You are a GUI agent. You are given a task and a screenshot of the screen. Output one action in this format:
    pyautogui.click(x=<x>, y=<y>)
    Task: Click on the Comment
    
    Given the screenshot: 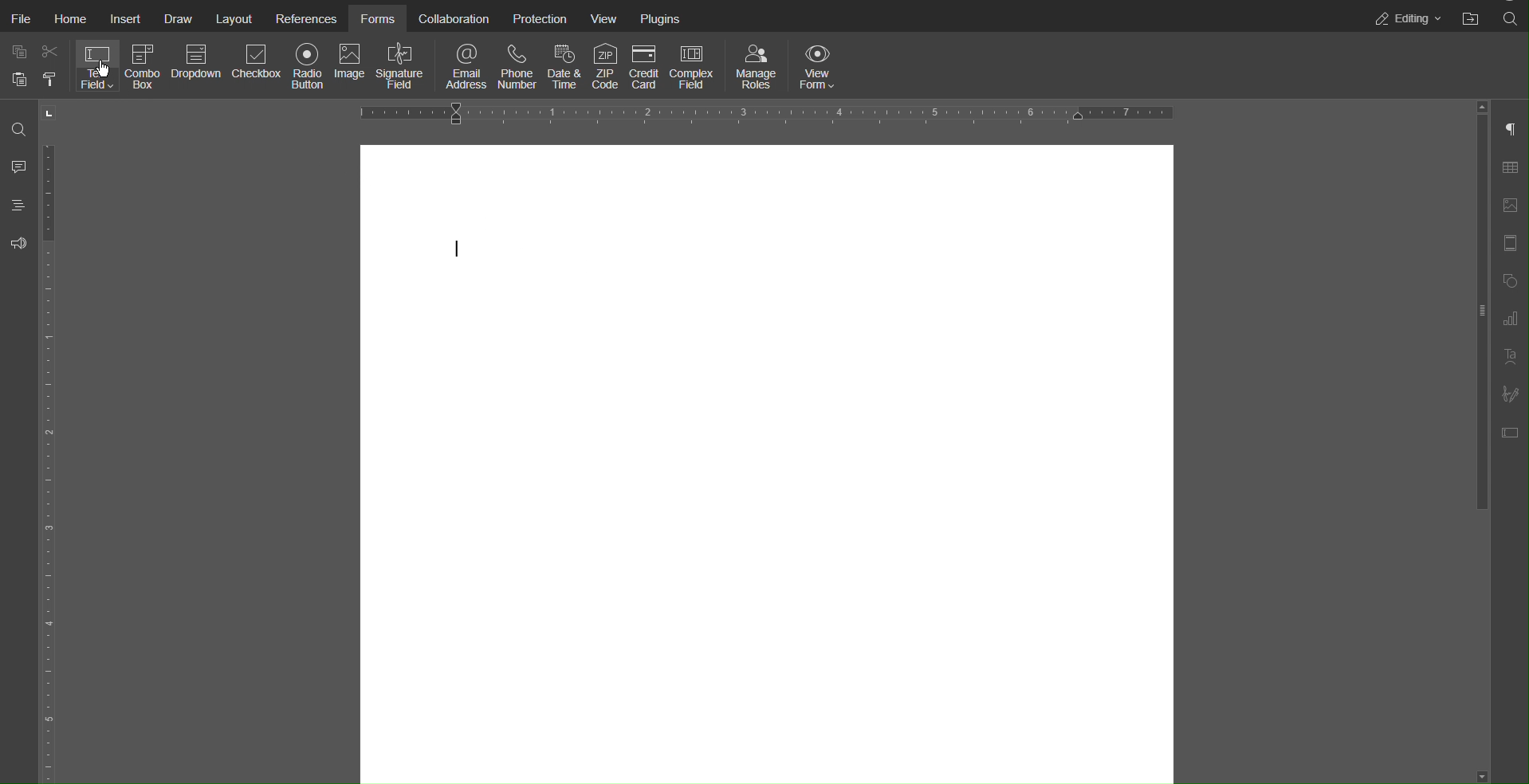 What is the action you would take?
    pyautogui.click(x=19, y=163)
    